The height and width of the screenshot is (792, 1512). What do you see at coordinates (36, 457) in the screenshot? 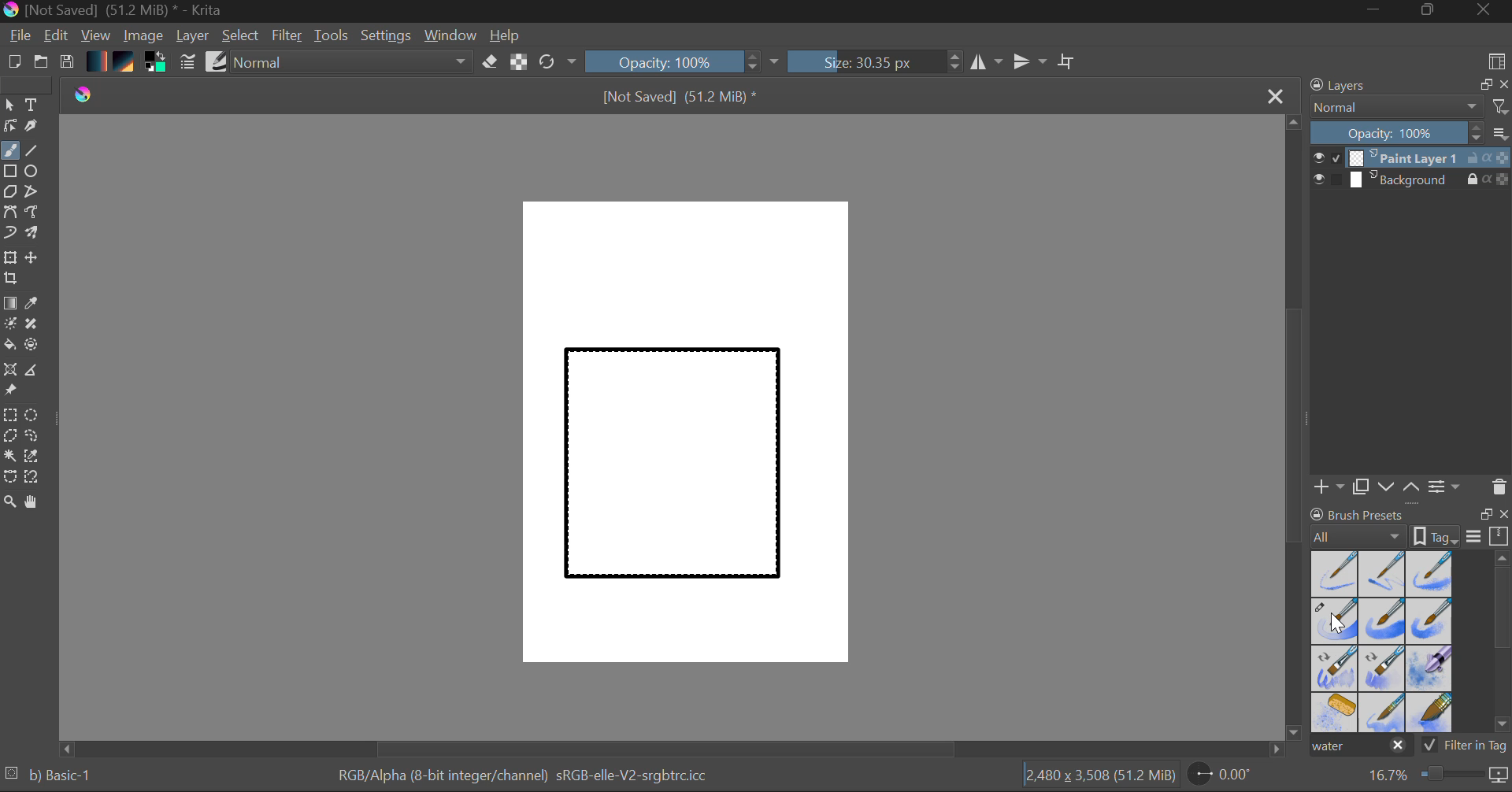
I see `Similar Color Selector` at bounding box center [36, 457].